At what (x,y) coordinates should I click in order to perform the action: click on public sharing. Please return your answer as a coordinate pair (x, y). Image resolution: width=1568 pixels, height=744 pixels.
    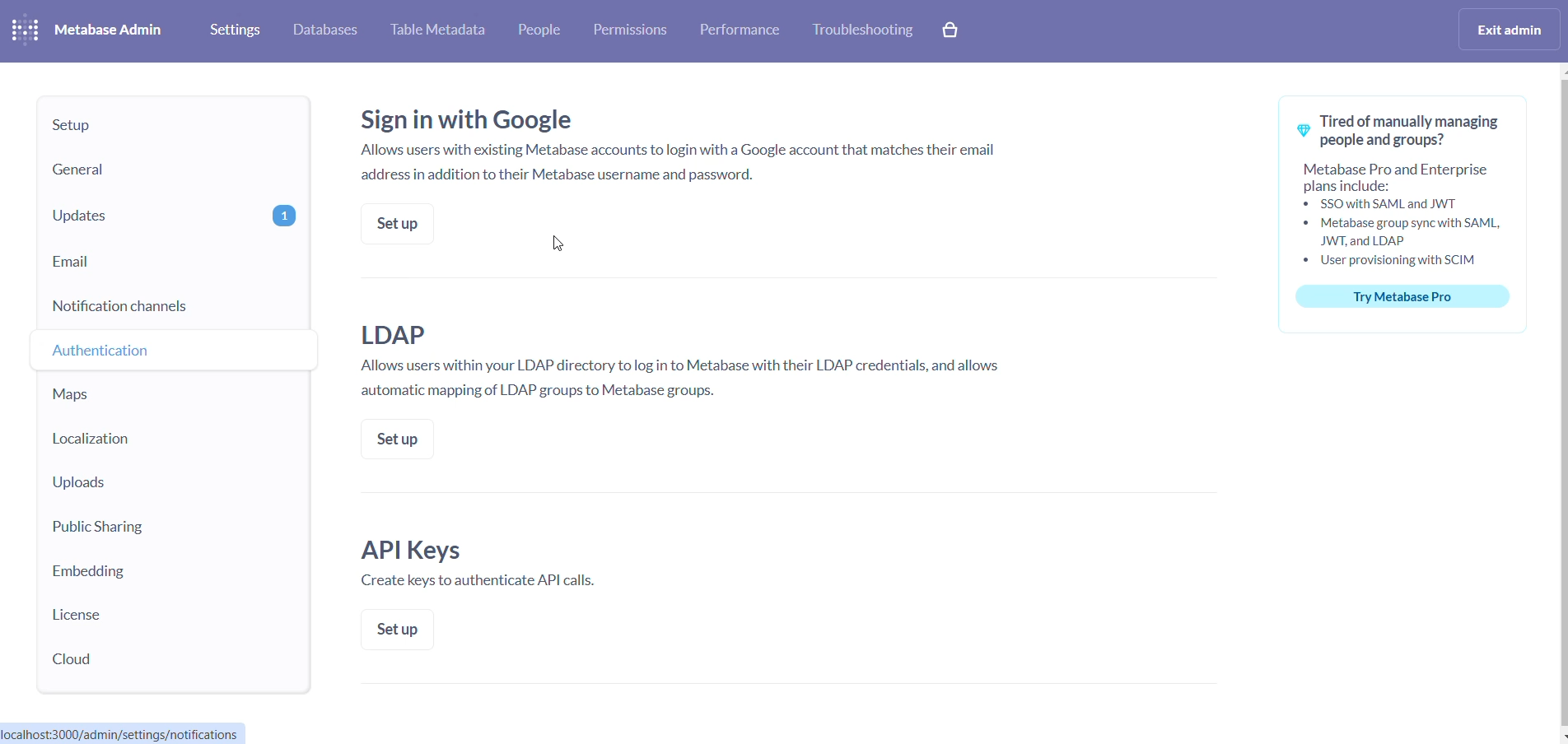
    Looking at the image, I should click on (120, 529).